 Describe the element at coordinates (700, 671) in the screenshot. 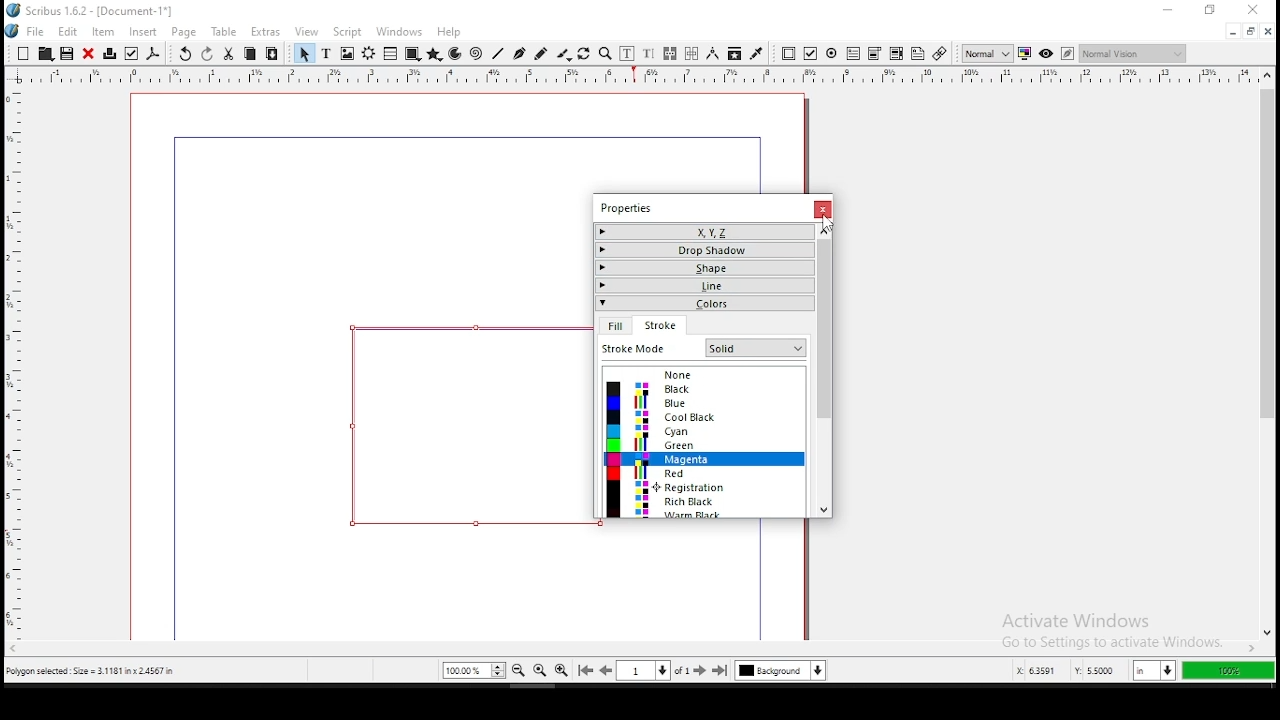

I see `go to next page` at that location.